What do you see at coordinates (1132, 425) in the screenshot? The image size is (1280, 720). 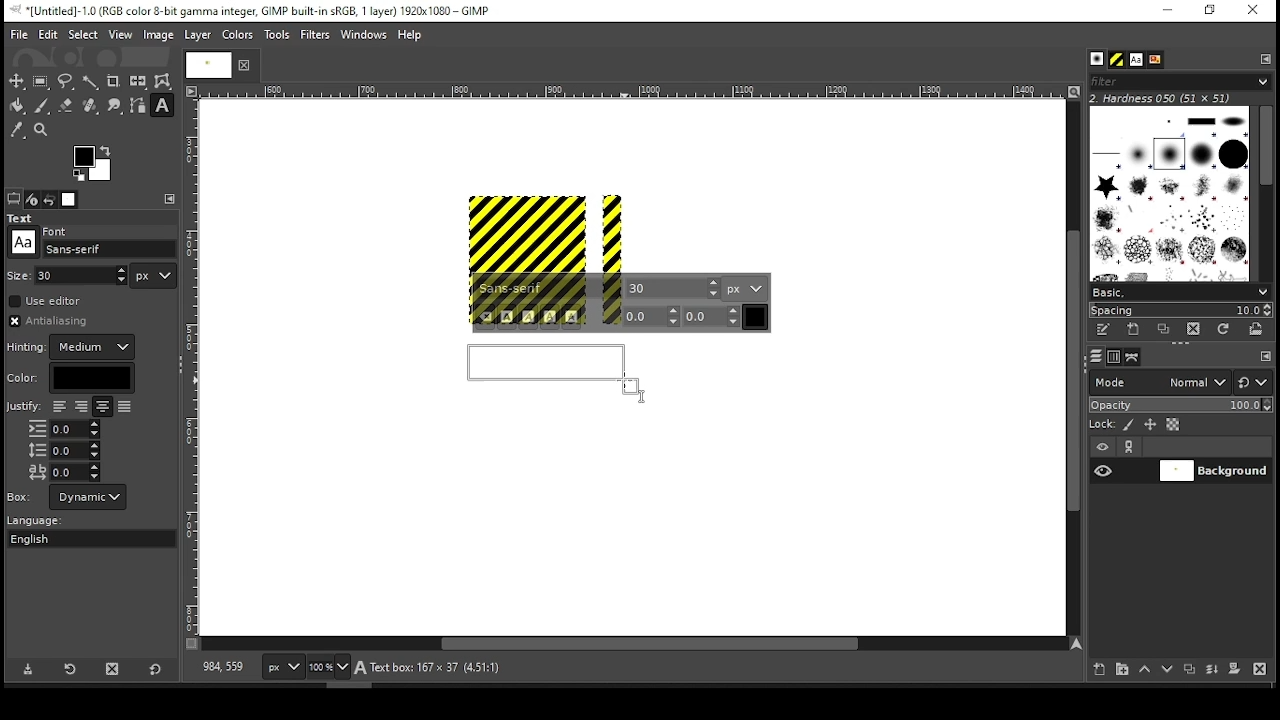 I see `lock pixels` at bounding box center [1132, 425].